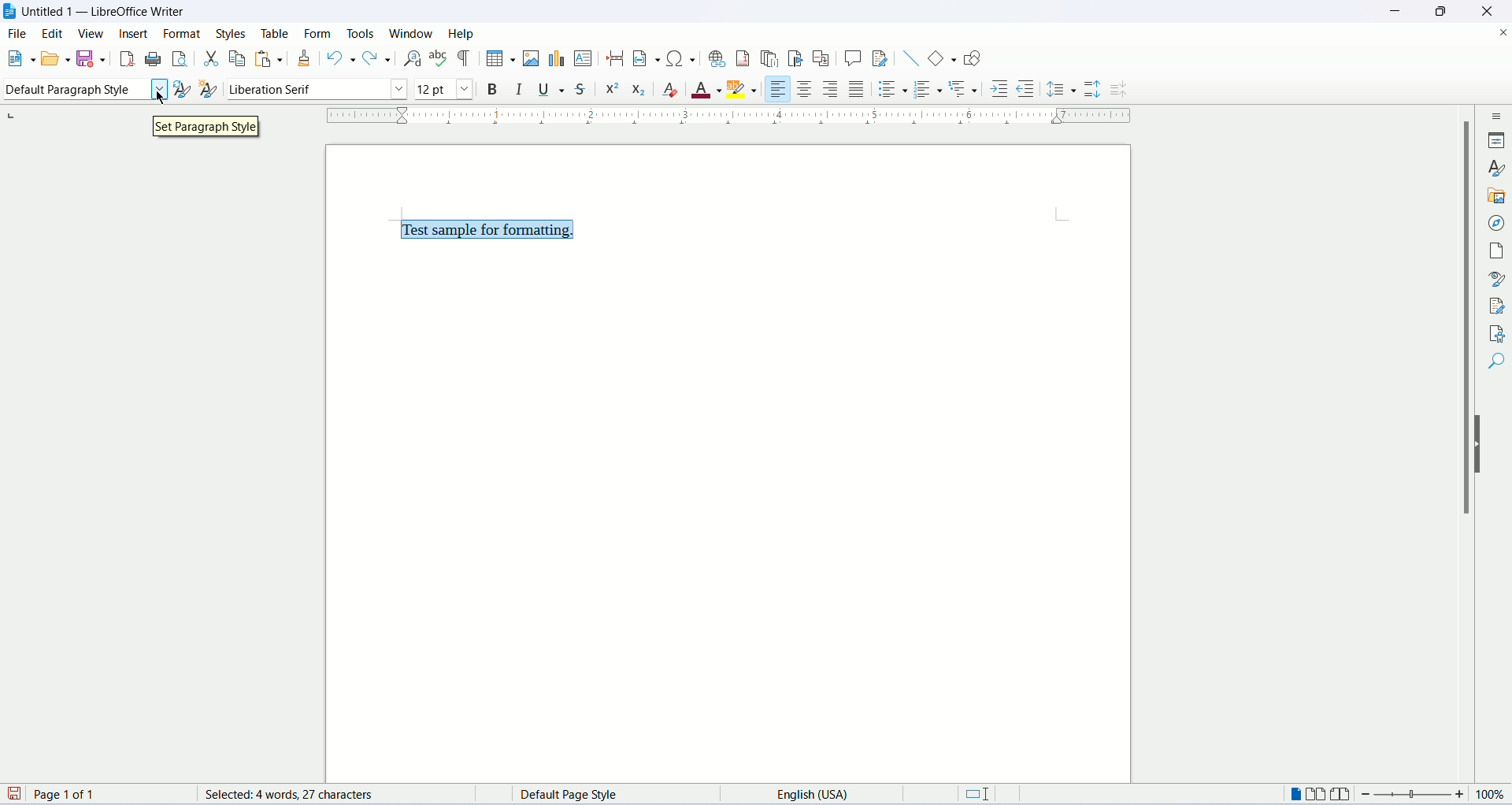  What do you see at coordinates (272, 795) in the screenshot?
I see `words and characters` at bounding box center [272, 795].